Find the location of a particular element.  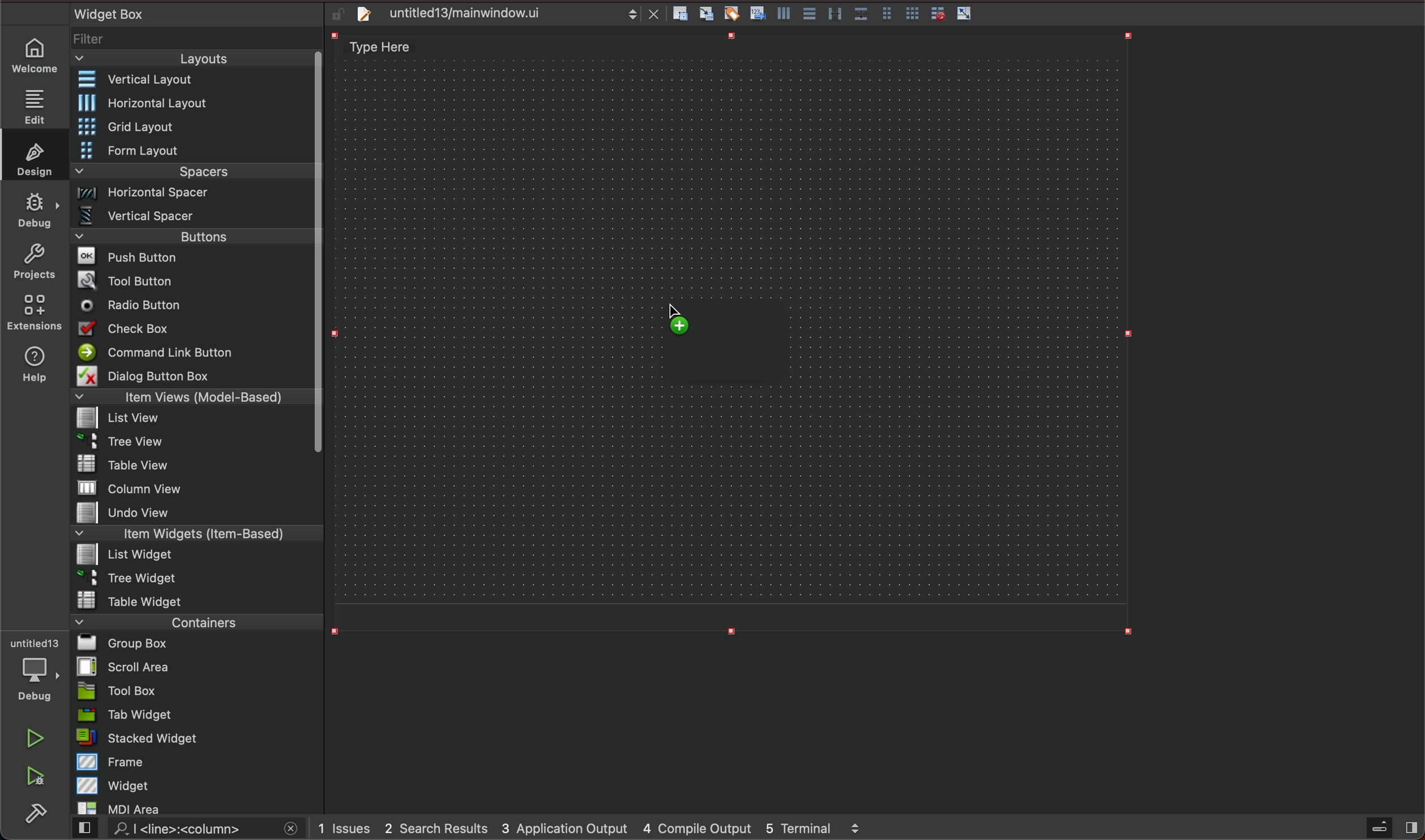

vertical layout is located at coordinates (192, 79).